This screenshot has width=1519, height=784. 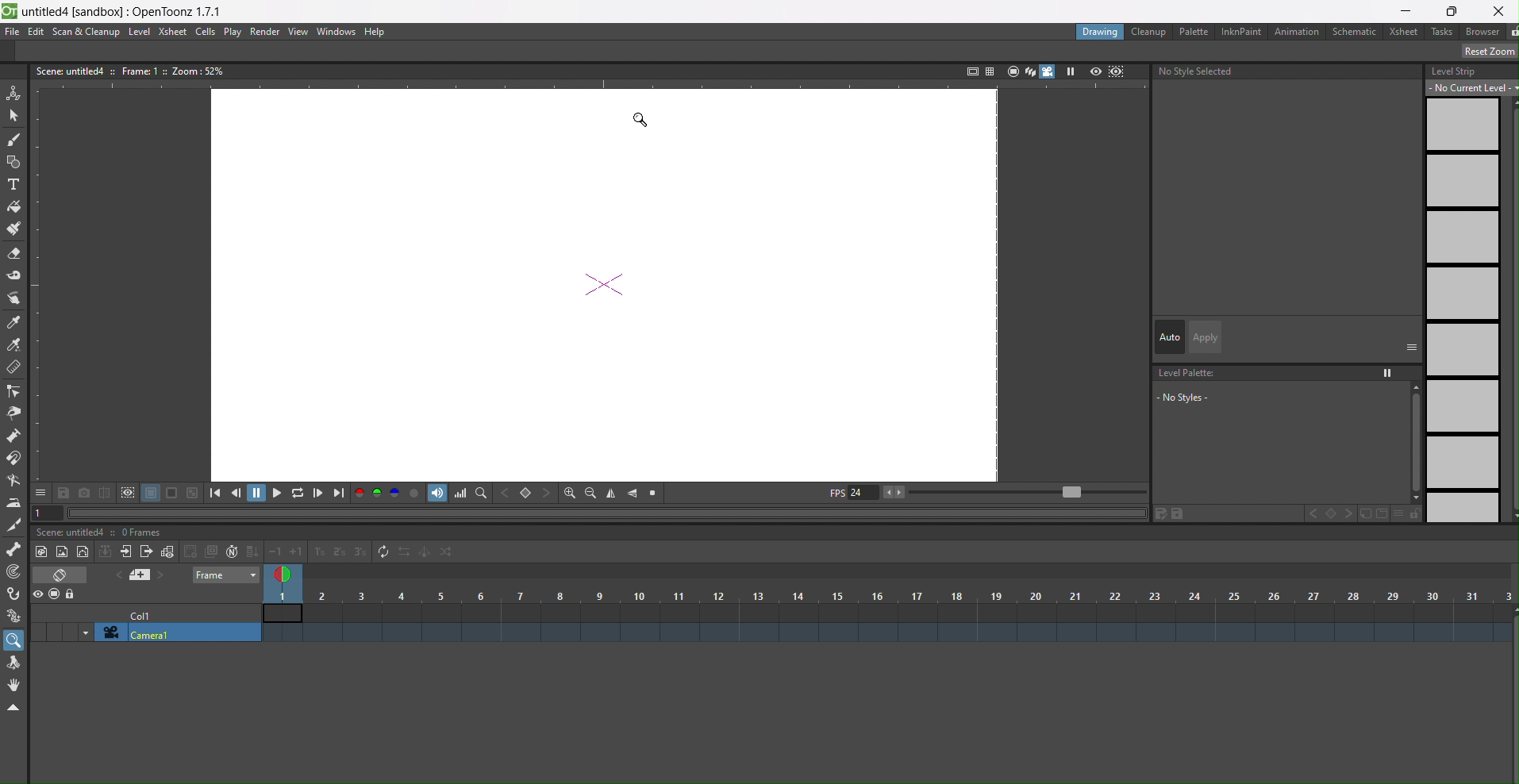 I want to click on , so click(x=402, y=553).